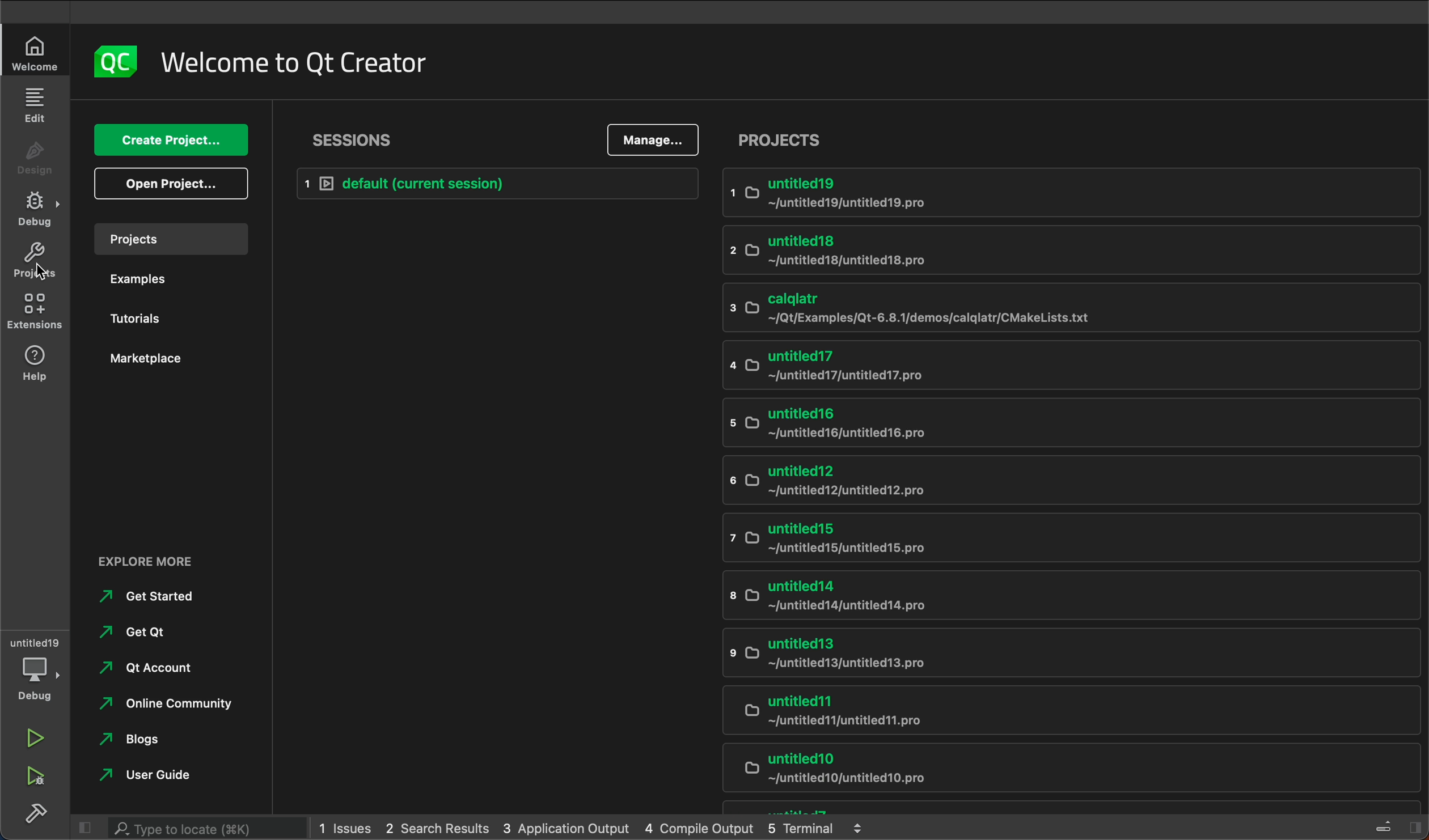  What do you see at coordinates (117, 62) in the screenshot?
I see `logo` at bounding box center [117, 62].